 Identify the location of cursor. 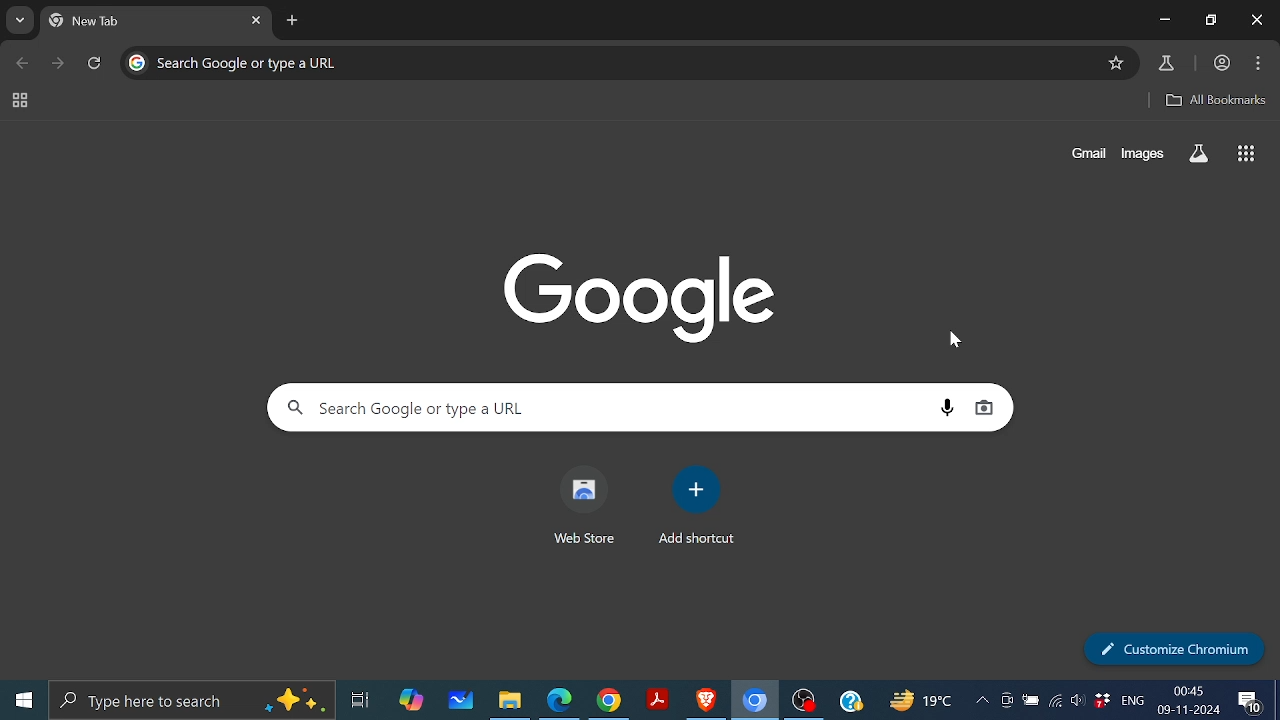
(954, 339).